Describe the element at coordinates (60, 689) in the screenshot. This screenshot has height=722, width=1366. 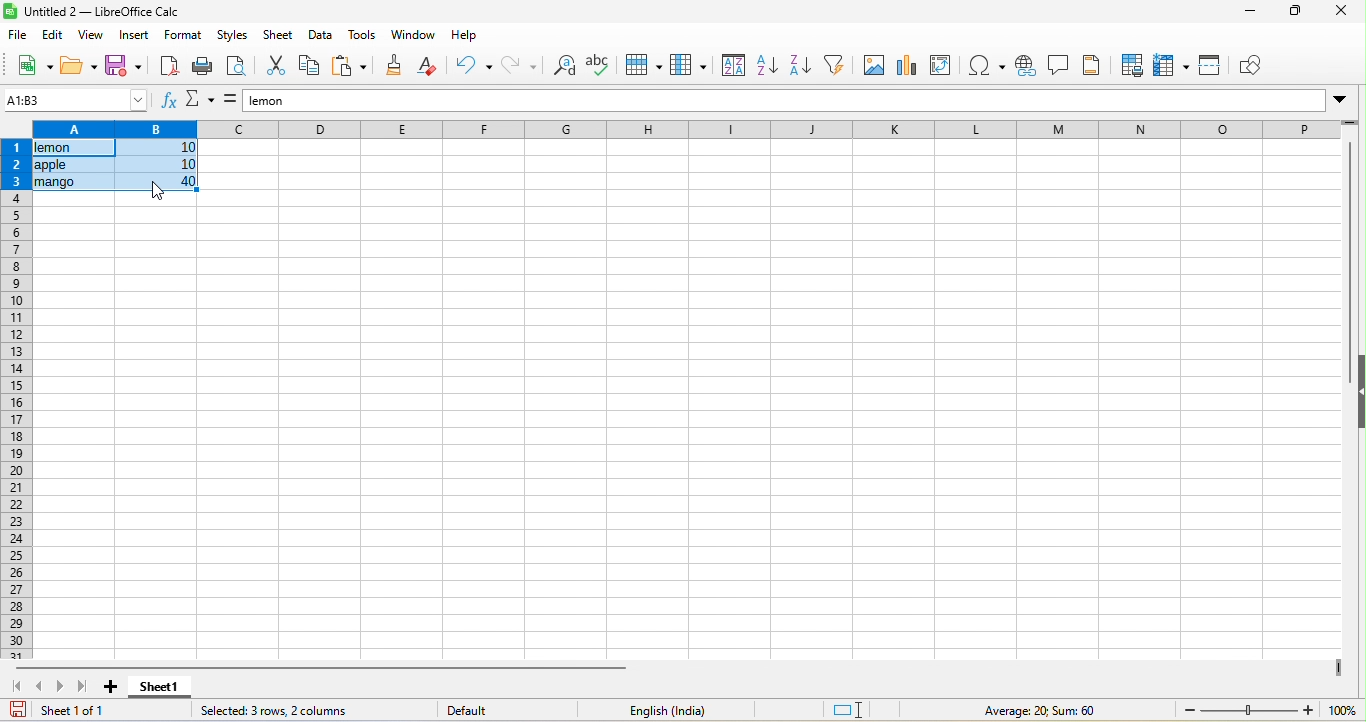
I see `scroll to next slheet` at that location.